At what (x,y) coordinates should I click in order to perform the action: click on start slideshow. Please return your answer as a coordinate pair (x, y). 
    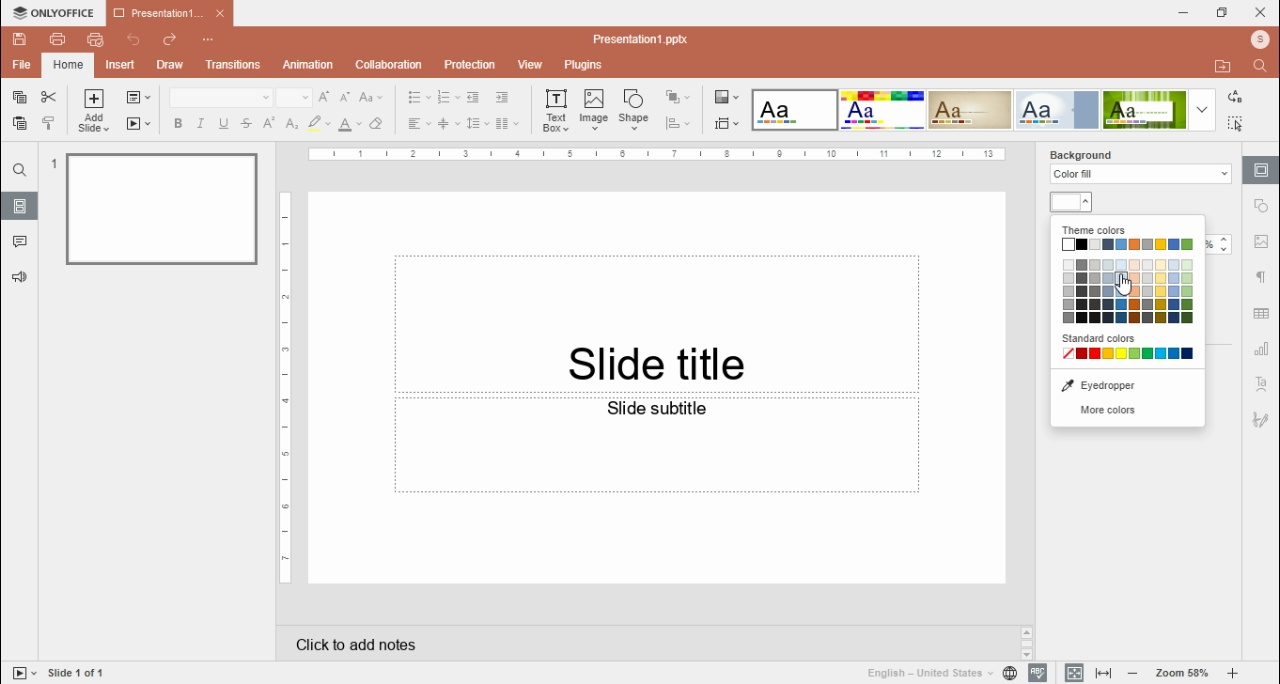
    Looking at the image, I should click on (24, 672).